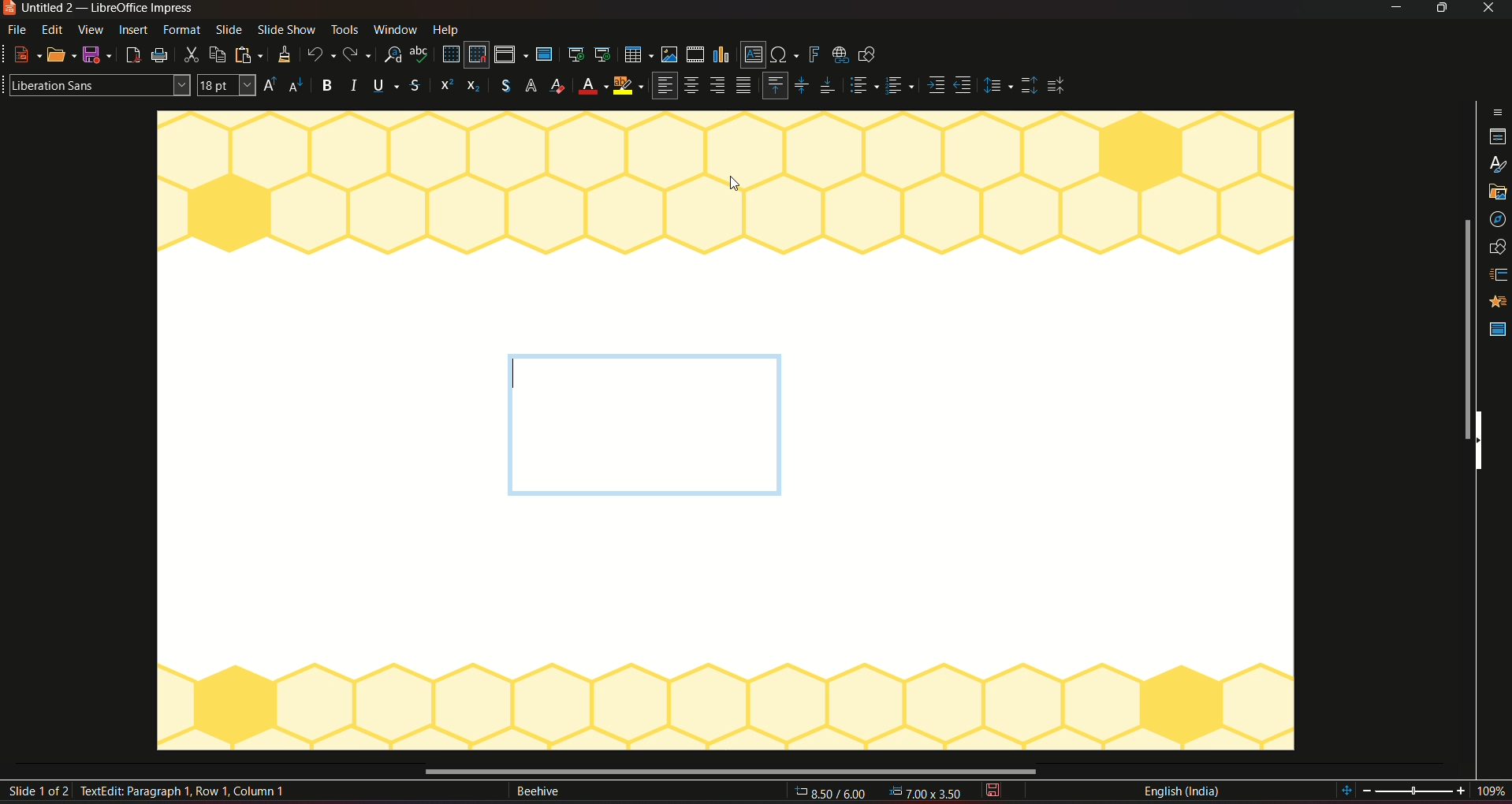 This screenshot has width=1512, height=804. I want to click on clone formatting, so click(282, 55).